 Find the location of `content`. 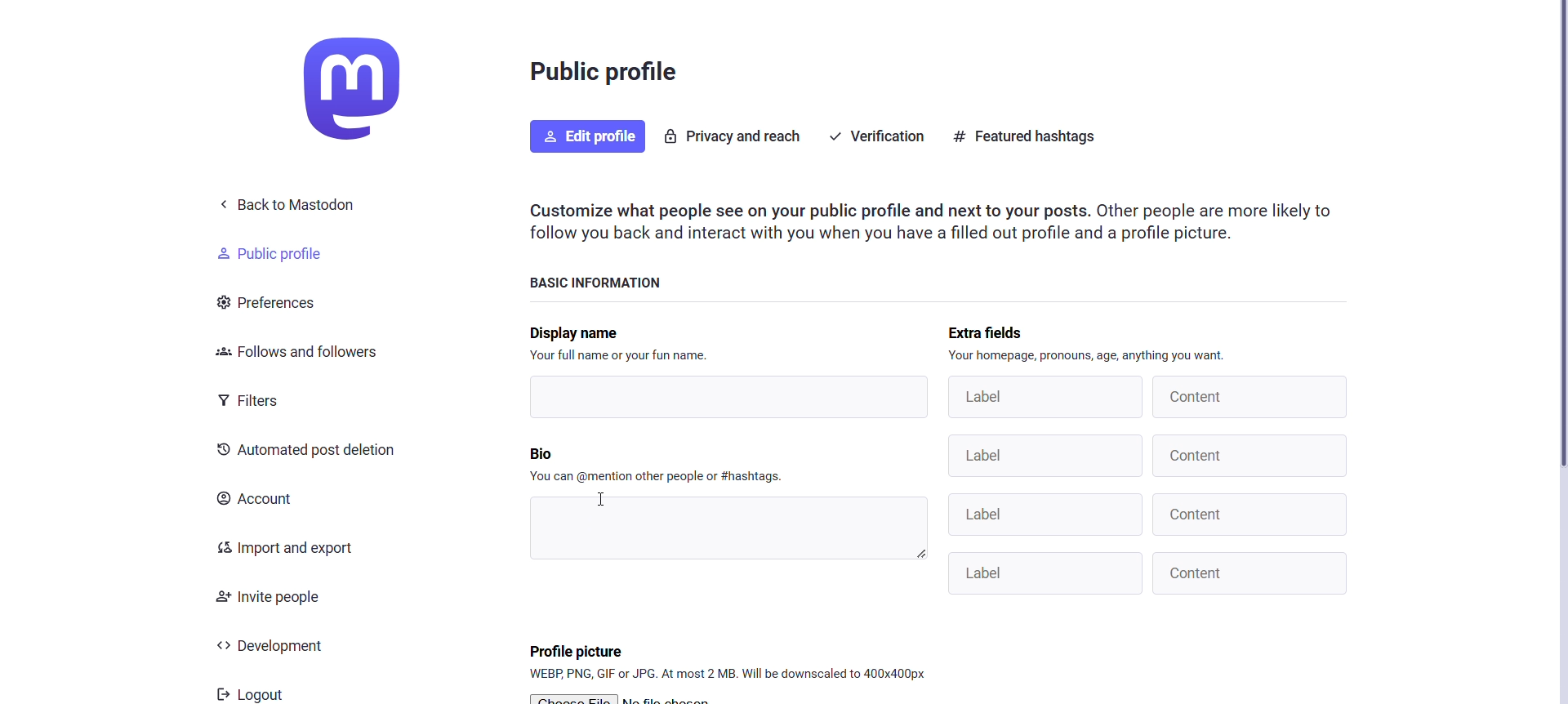

content is located at coordinates (1249, 515).